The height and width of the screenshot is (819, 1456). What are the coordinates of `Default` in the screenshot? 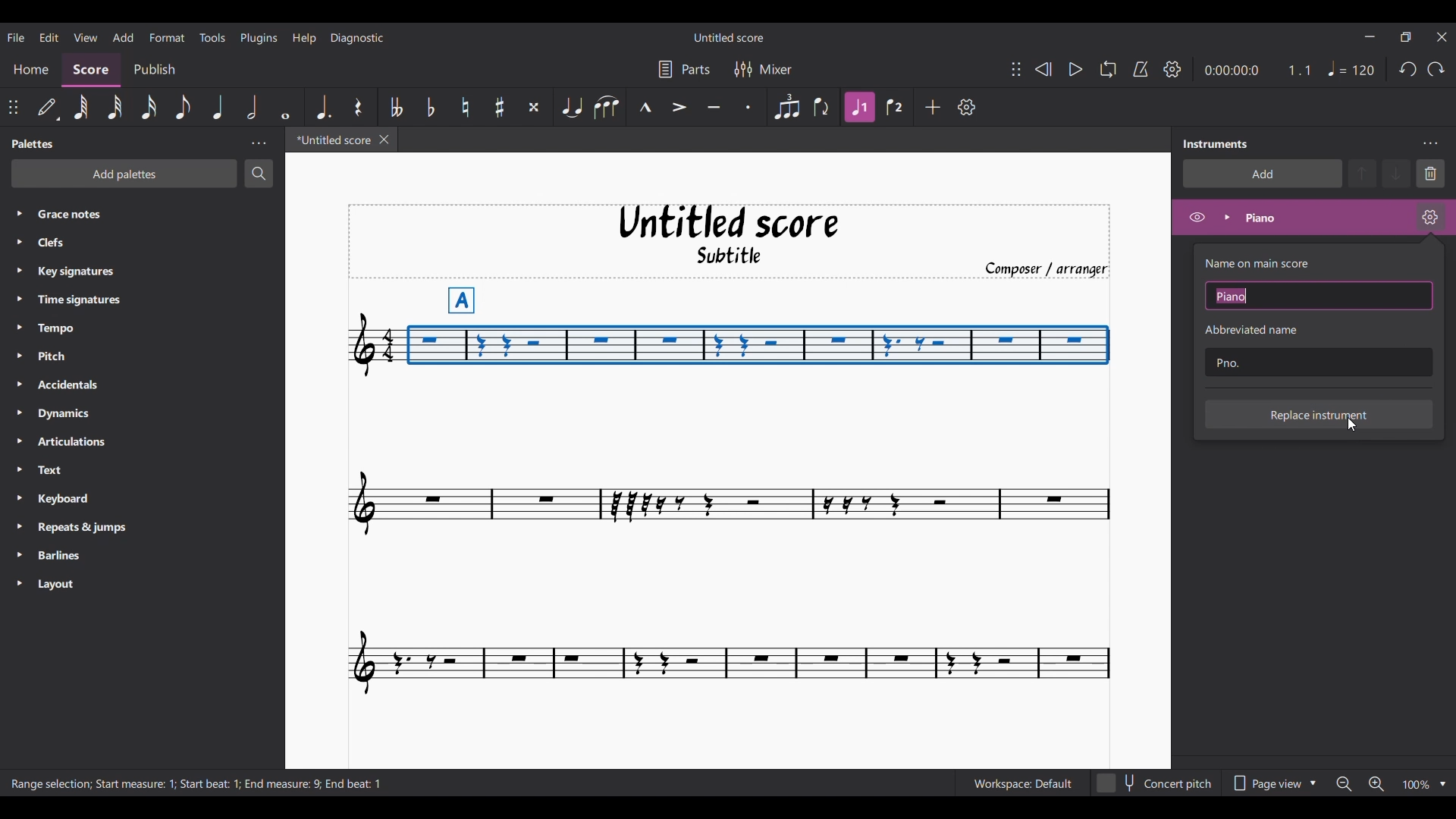 It's located at (47, 106).